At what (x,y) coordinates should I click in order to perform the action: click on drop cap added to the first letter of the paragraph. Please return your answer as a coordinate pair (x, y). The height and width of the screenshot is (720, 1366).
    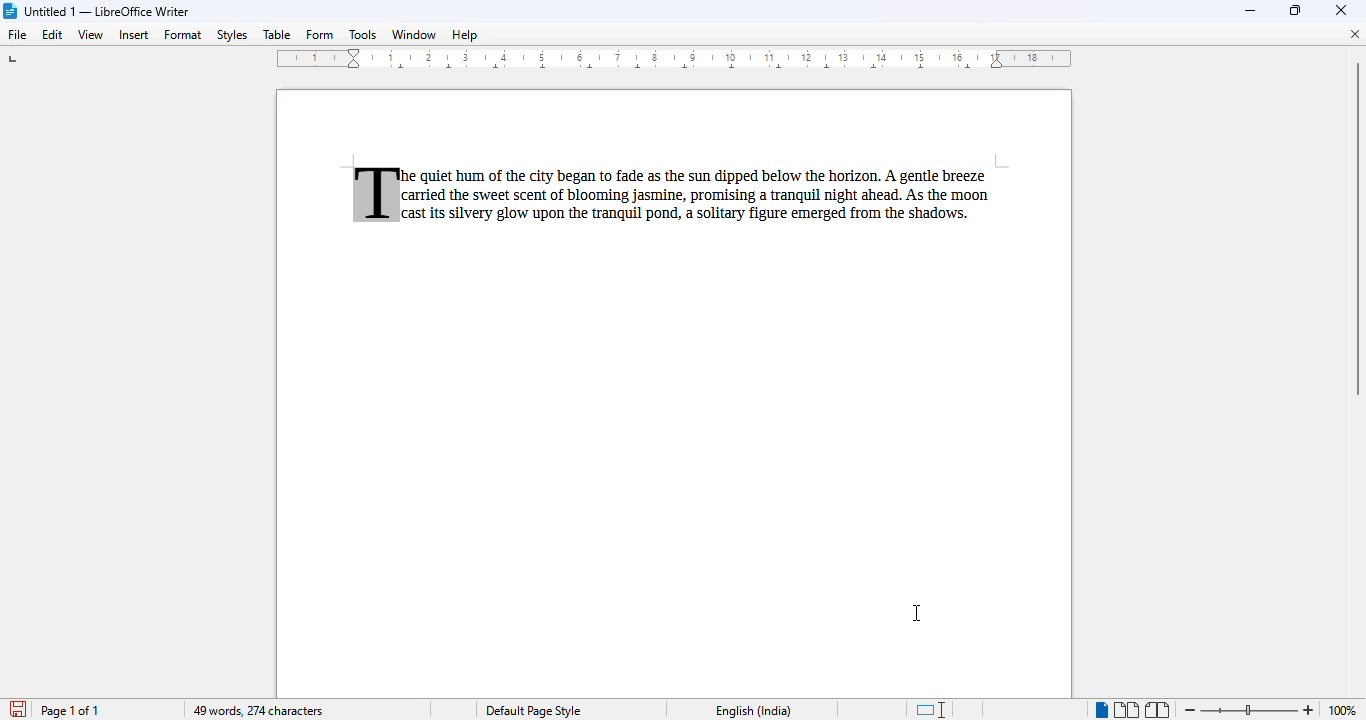
    Looking at the image, I should click on (374, 194).